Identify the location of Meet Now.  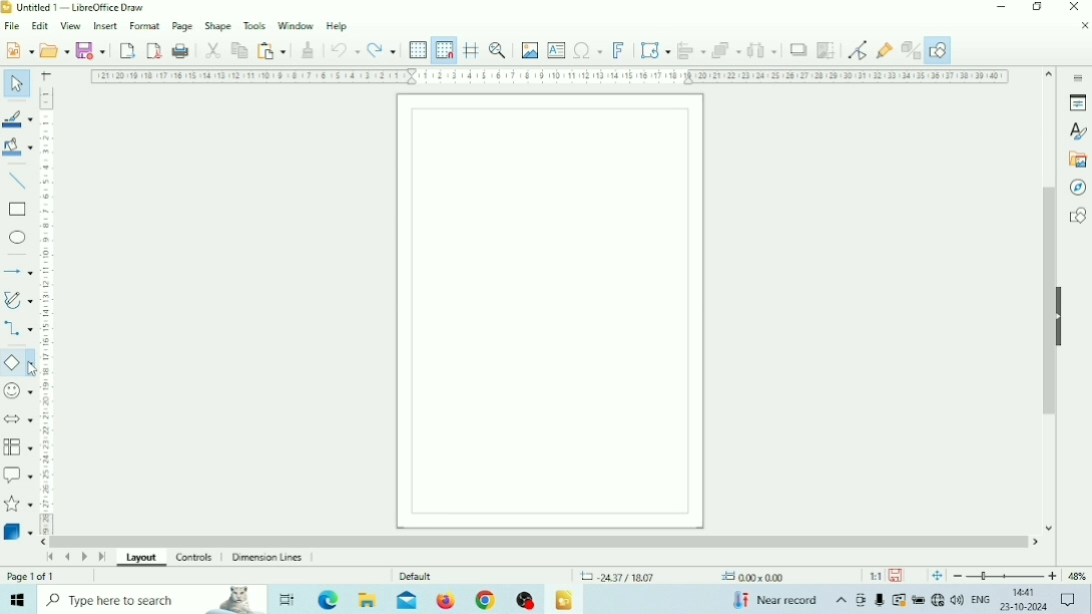
(862, 600).